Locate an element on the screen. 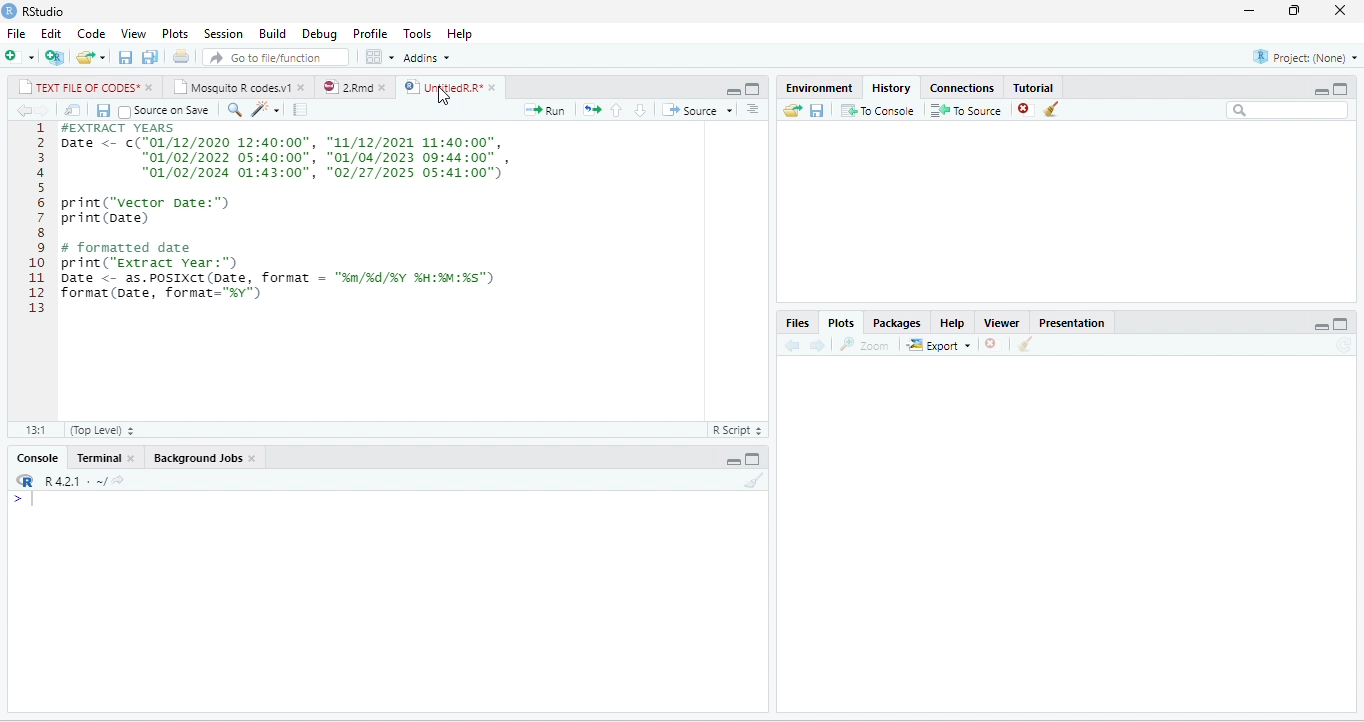 The height and width of the screenshot is (722, 1364). line numbering is located at coordinates (36, 218).